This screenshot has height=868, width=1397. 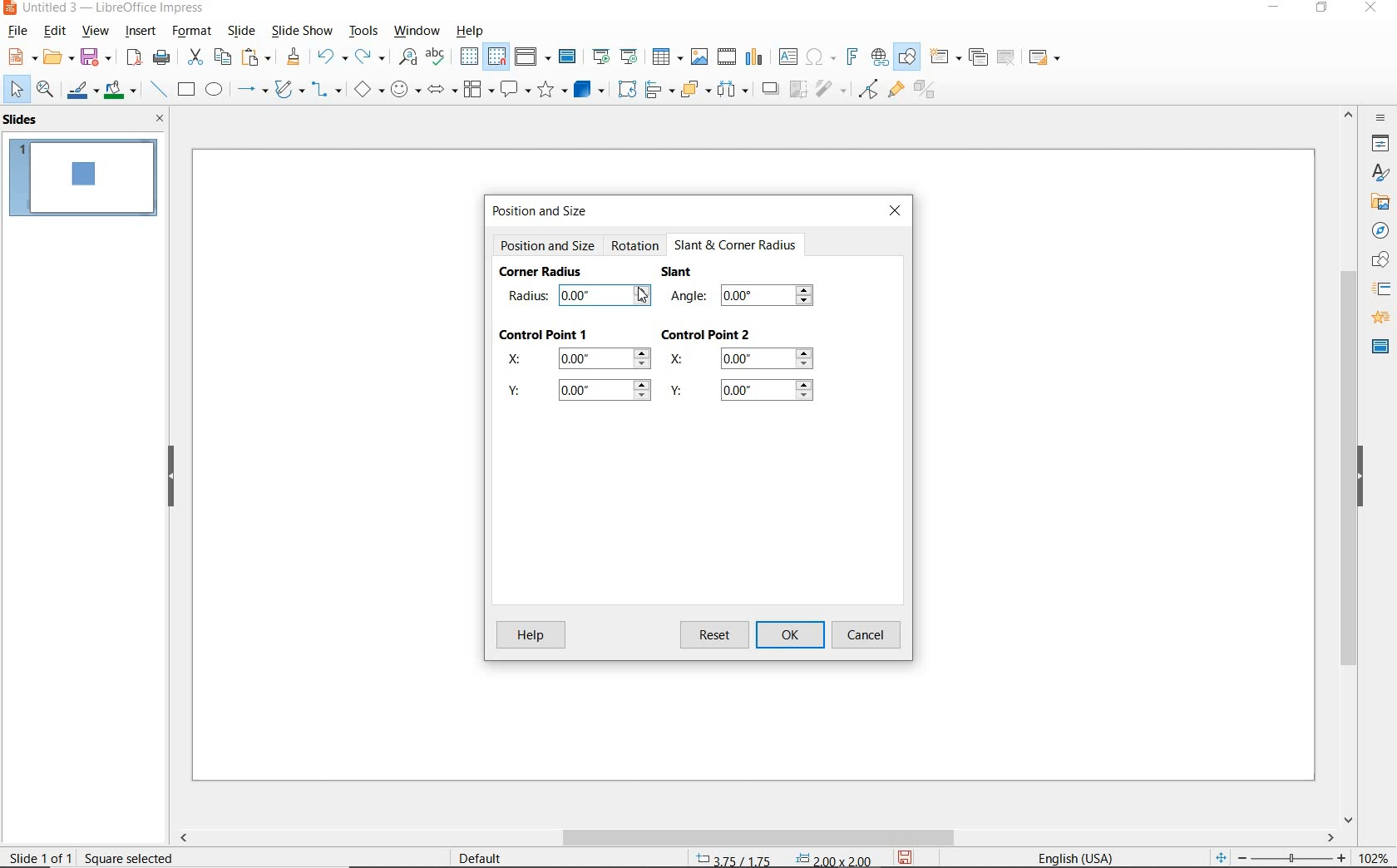 What do you see at coordinates (1378, 317) in the screenshot?
I see `animation` at bounding box center [1378, 317].